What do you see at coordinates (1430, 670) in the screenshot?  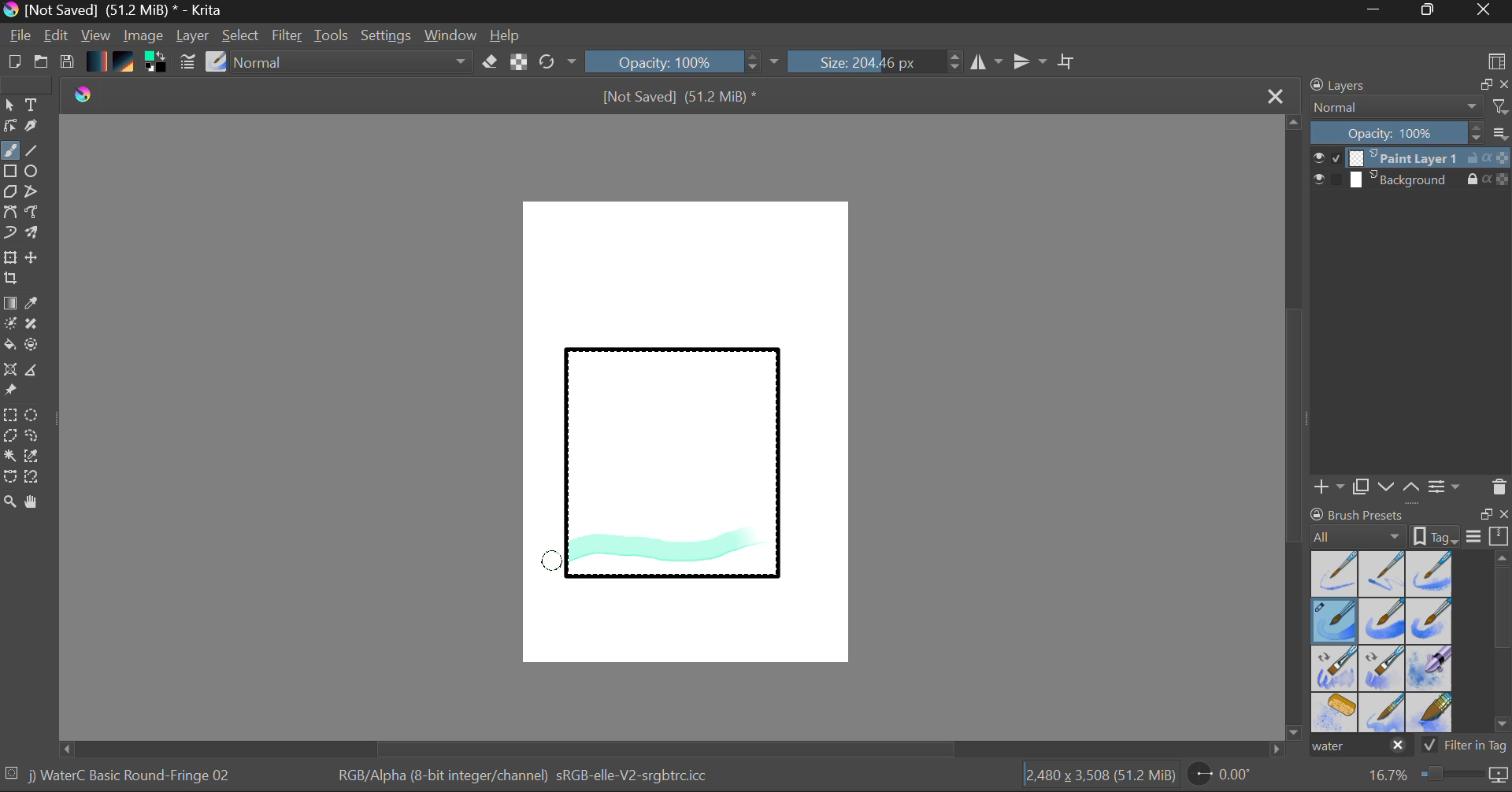 I see `Water C - Special Blobs` at bounding box center [1430, 670].